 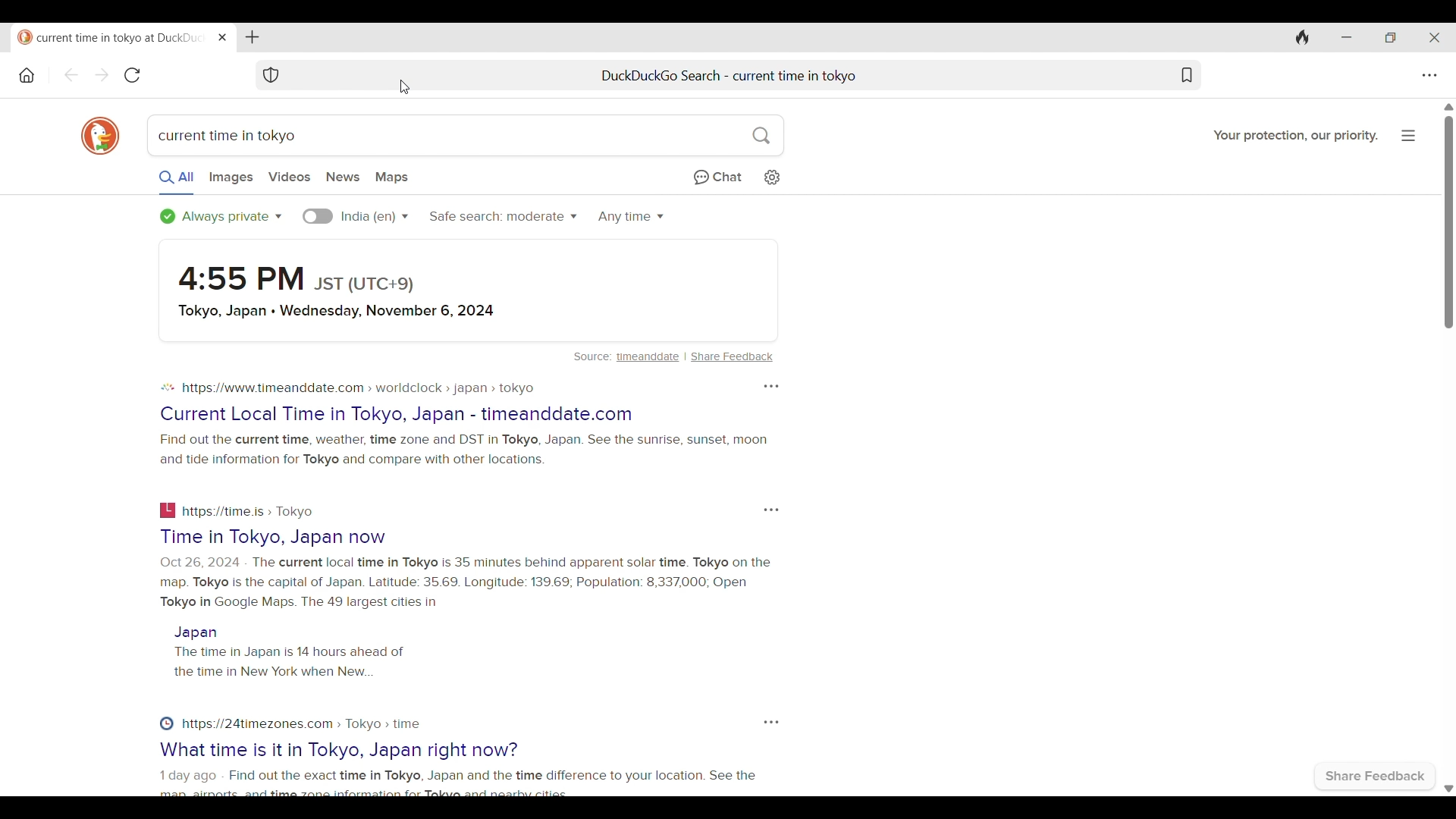 What do you see at coordinates (132, 75) in the screenshot?
I see `Reload page` at bounding box center [132, 75].